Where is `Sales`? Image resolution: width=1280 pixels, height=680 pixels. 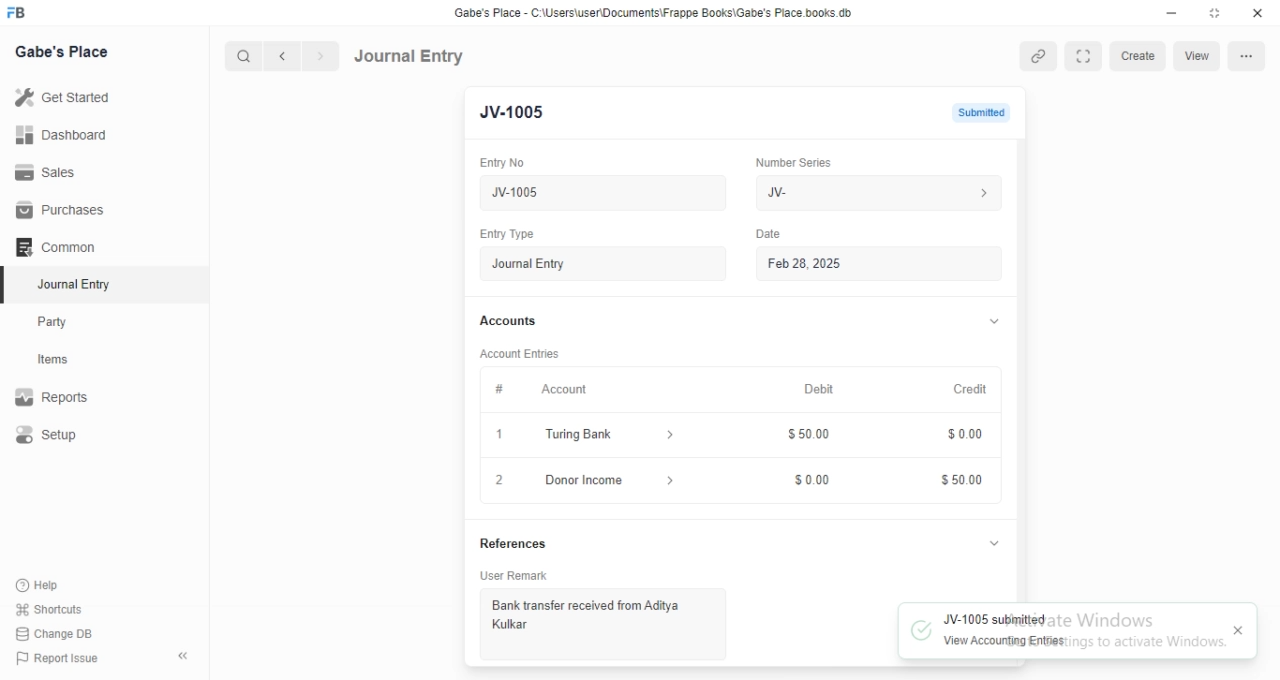 Sales is located at coordinates (64, 171).